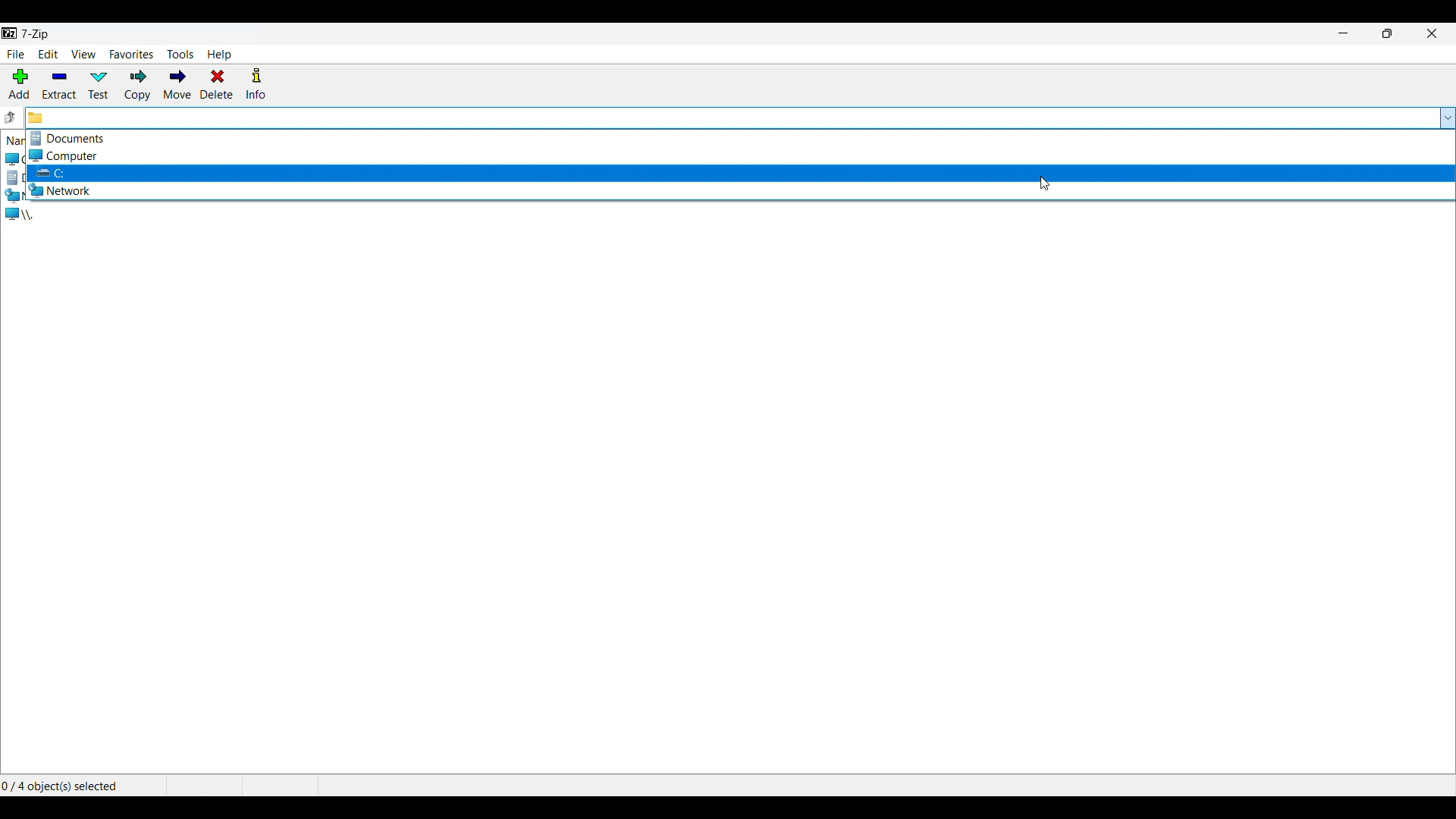 Image resolution: width=1456 pixels, height=819 pixels. Describe the element at coordinates (11, 118) in the screenshot. I see `Go to previous folder` at that location.